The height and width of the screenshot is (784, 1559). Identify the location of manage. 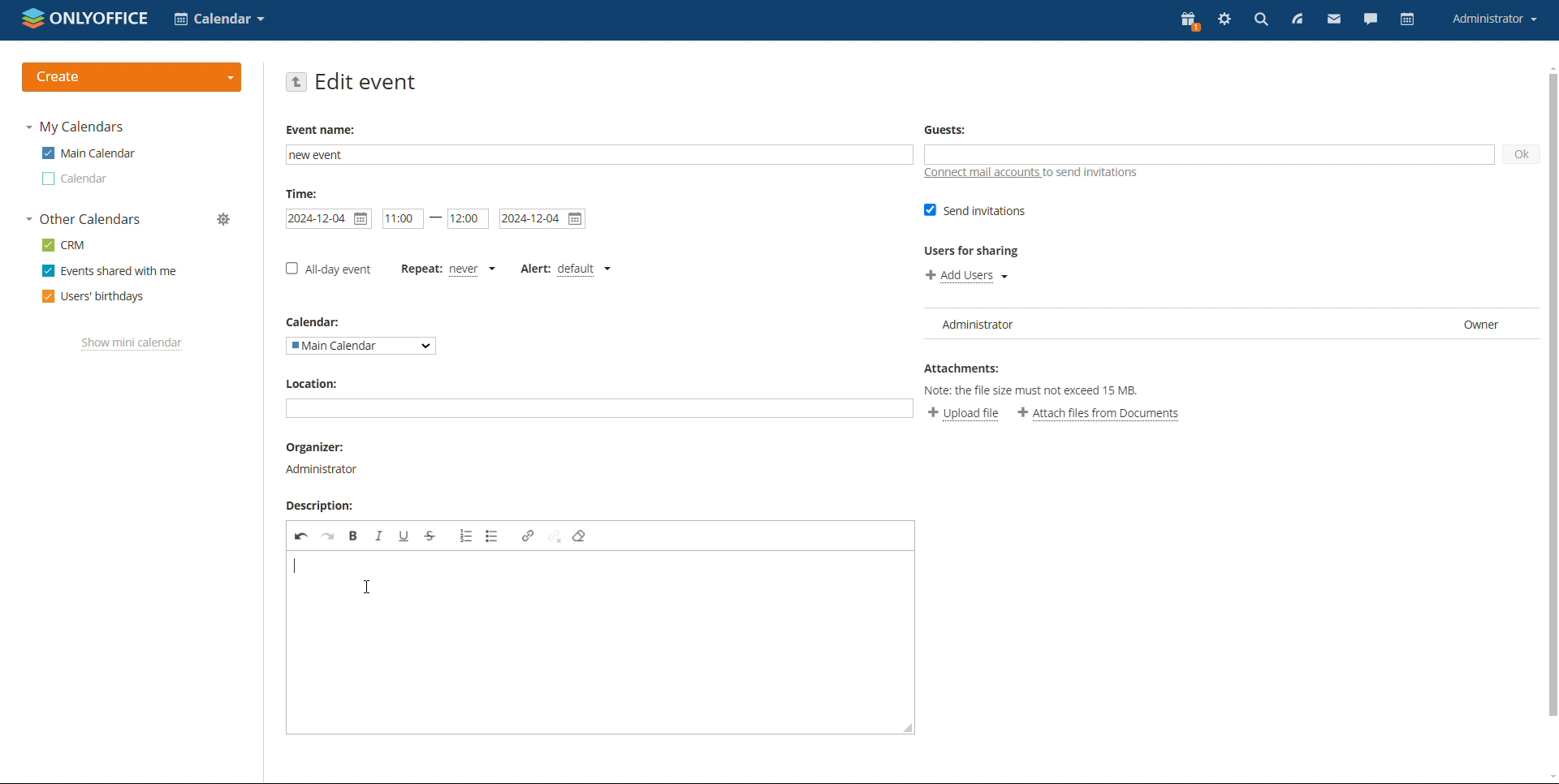
(225, 220).